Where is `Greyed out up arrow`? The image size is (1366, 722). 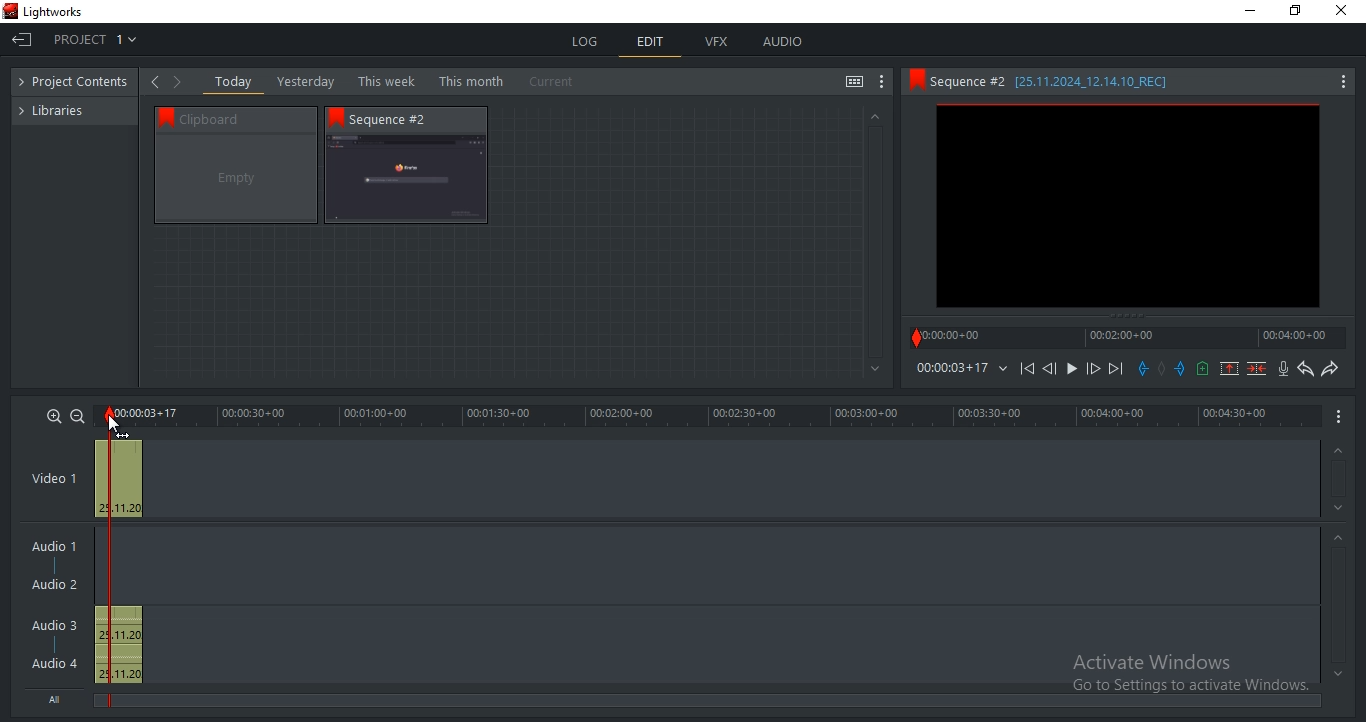
Greyed out up arrow is located at coordinates (1341, 540).